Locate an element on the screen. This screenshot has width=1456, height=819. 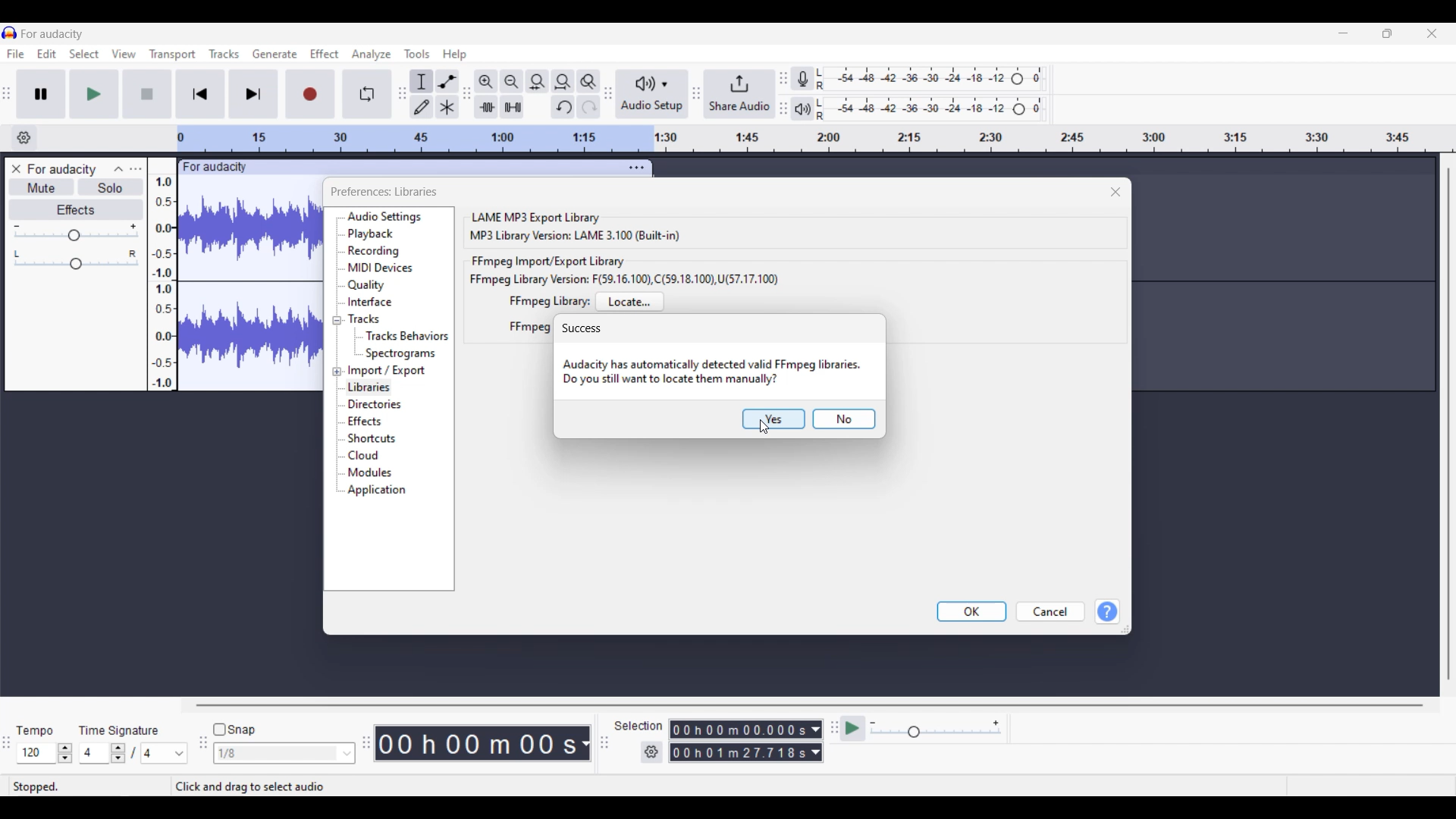
File menu is located at coordinates (15, 54).